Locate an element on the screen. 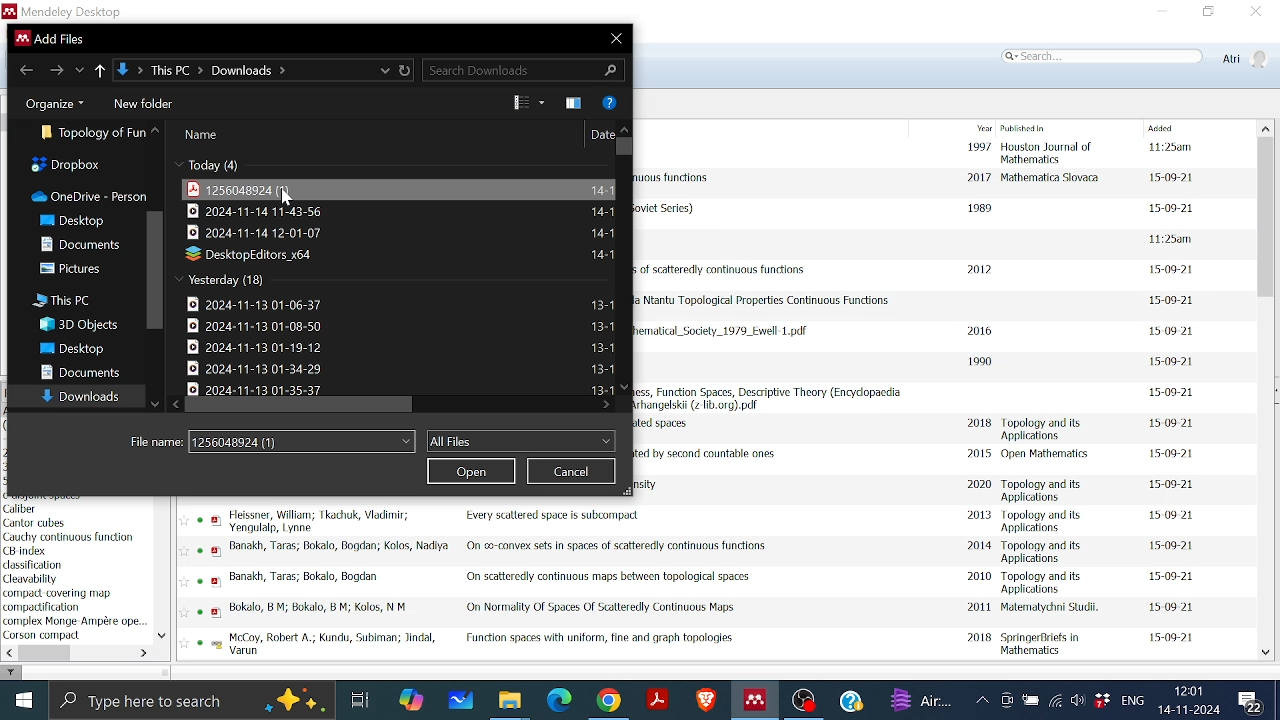  OneDrive-person is located at coordinates (90, 197).